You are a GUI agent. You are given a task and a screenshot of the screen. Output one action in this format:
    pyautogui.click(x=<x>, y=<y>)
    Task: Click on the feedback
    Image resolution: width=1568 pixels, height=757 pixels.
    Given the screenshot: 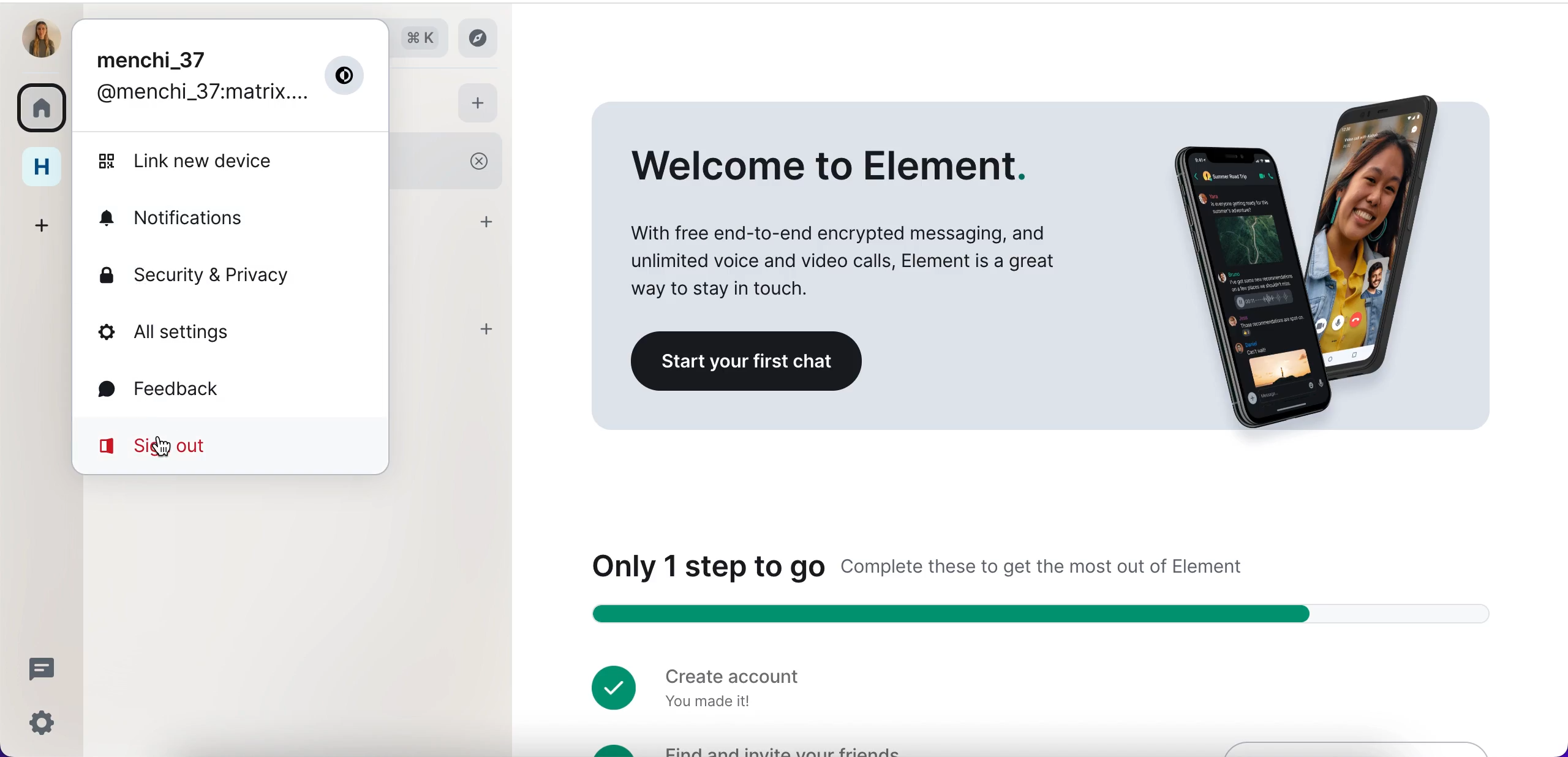 What is the action you would take?
    pyautogui.click(x=184, y=387)
    